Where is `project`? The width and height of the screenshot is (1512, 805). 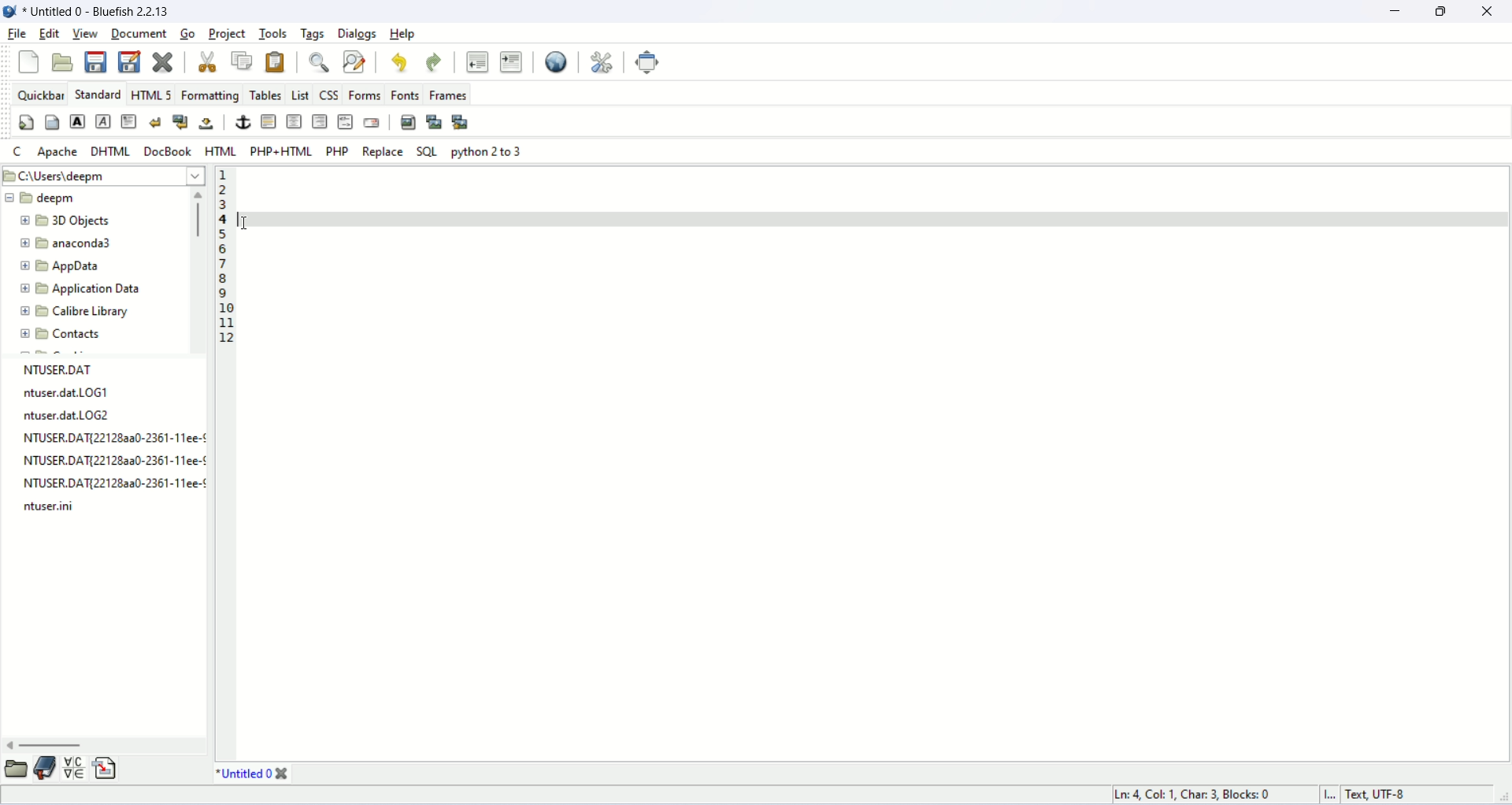
project is located at coordinates (225, 33).